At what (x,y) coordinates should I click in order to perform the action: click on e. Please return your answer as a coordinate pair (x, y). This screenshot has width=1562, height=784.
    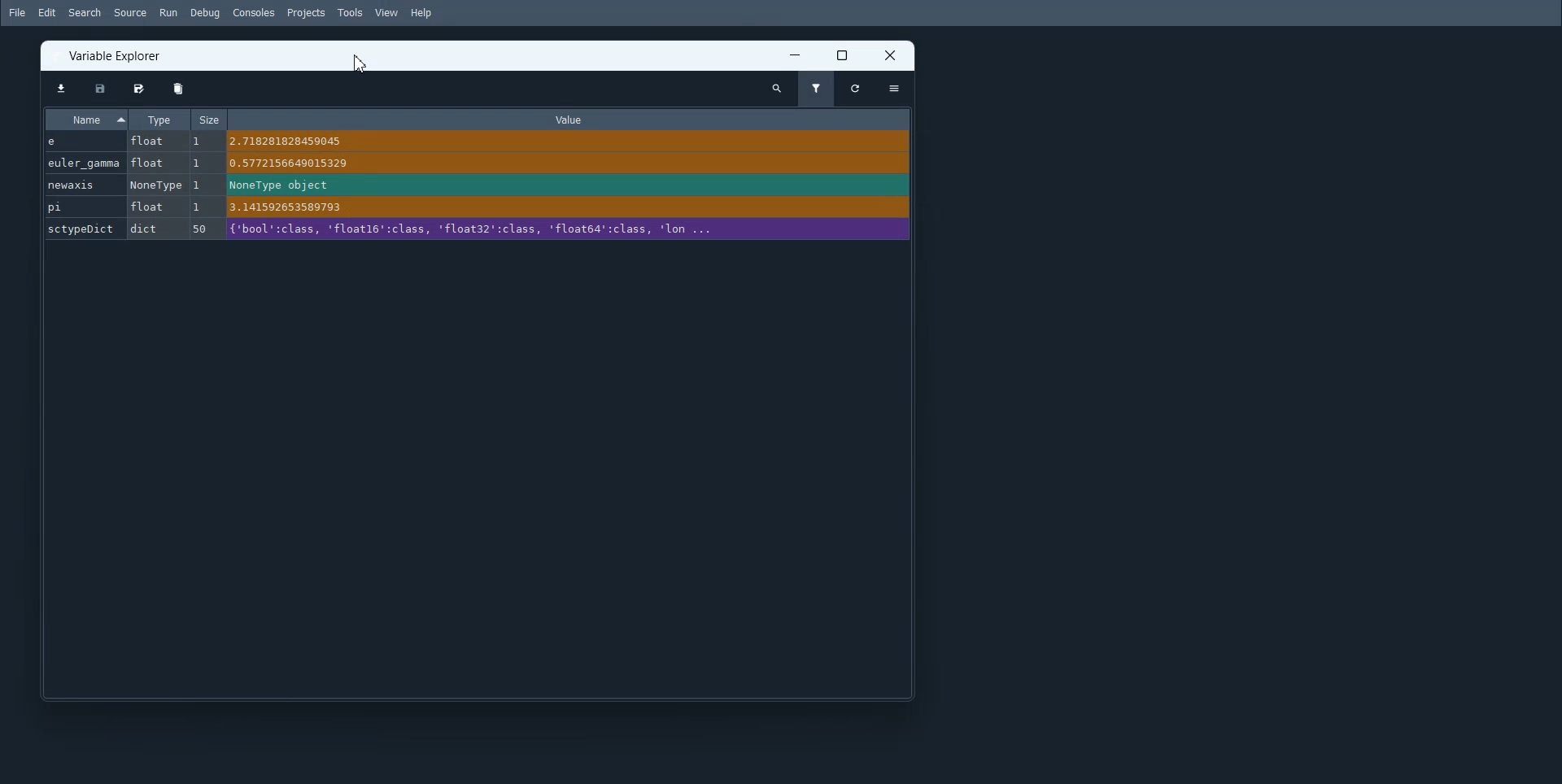
    Looking at the image, I should click on (70, 142).